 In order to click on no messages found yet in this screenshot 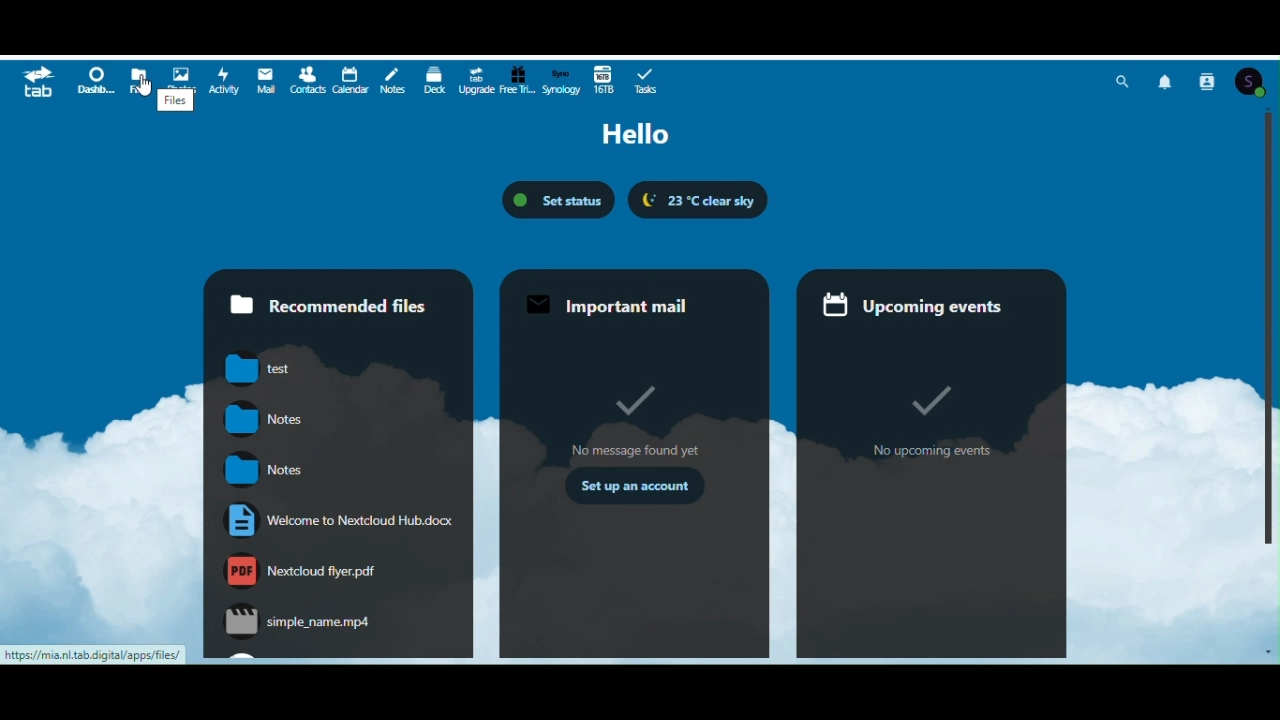, I will do `click(630, 450)`.